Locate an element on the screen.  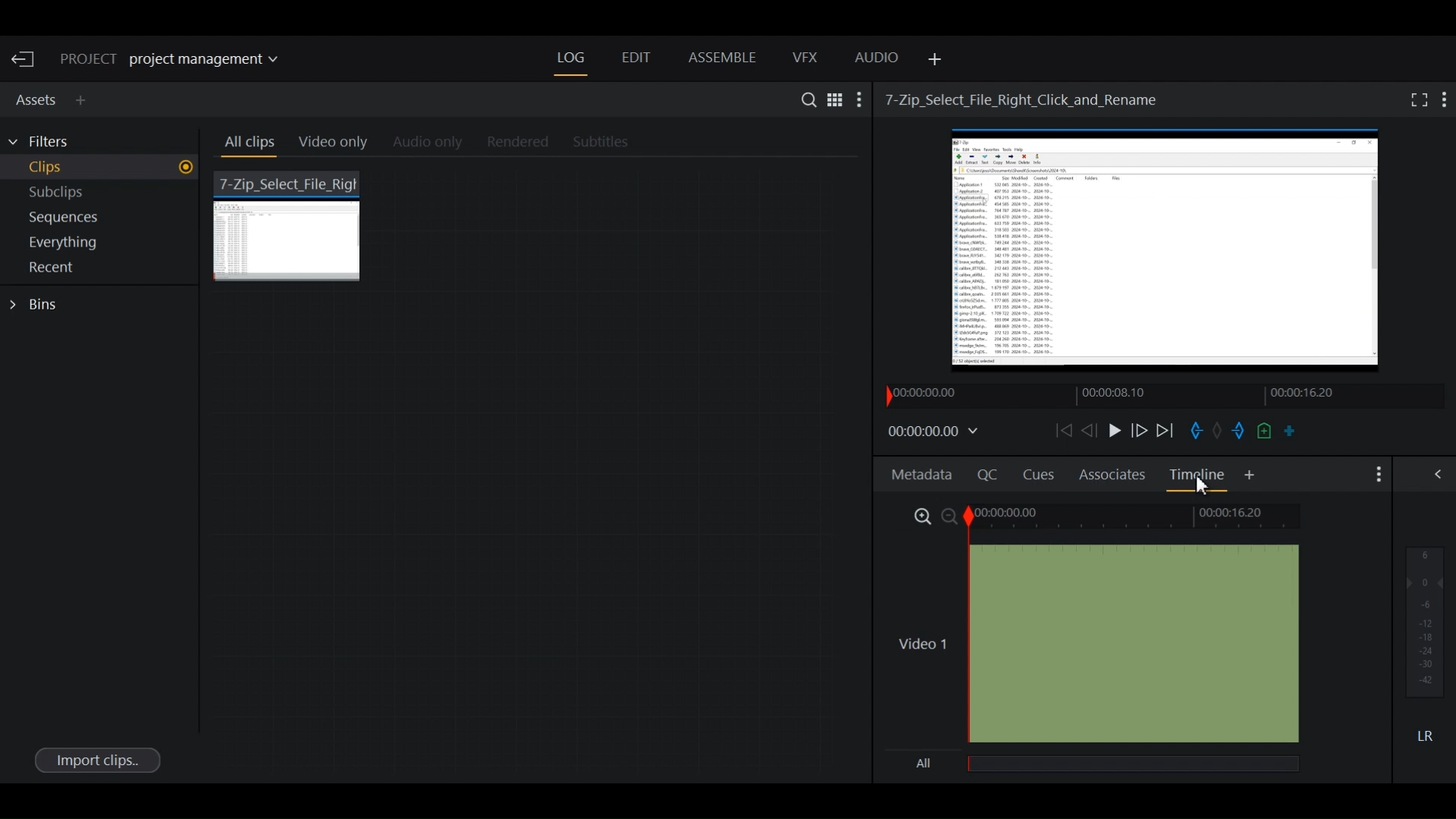
Timeline Indicator is located at coordinates (970, 641).